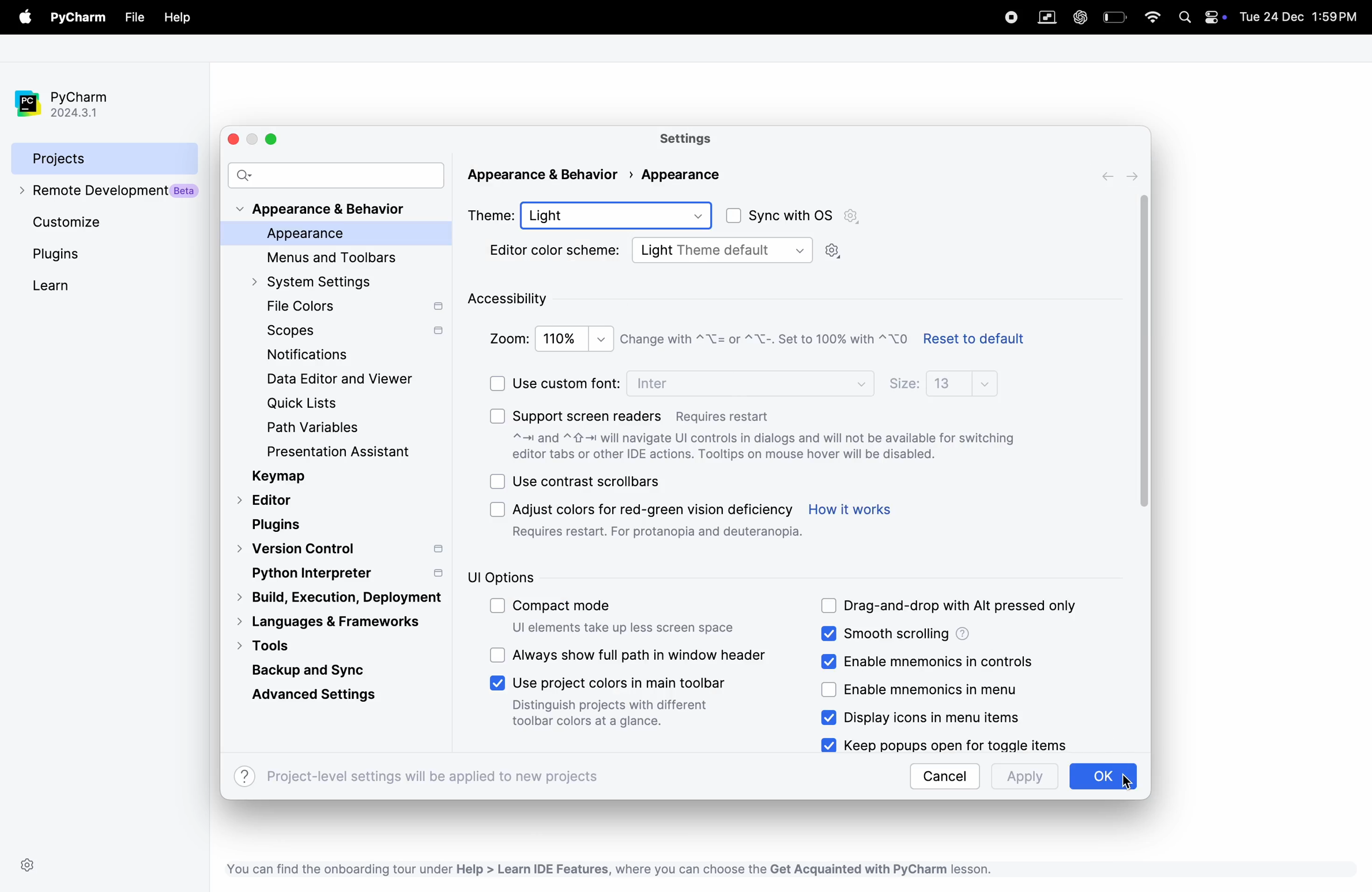  What do you see at coordinates (1132, 176) in the screenshot?
I see `next` at bounding box center [1132, 176].